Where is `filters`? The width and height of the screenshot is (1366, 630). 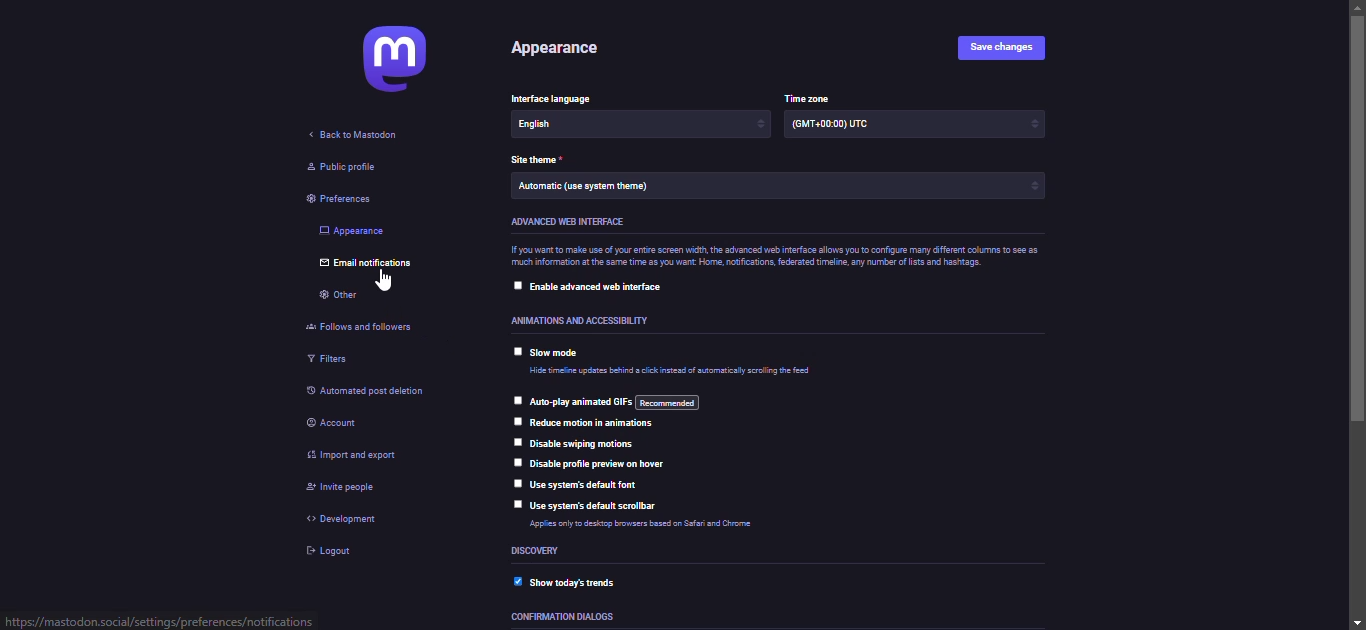 filters is located at coordinates (326, 361).